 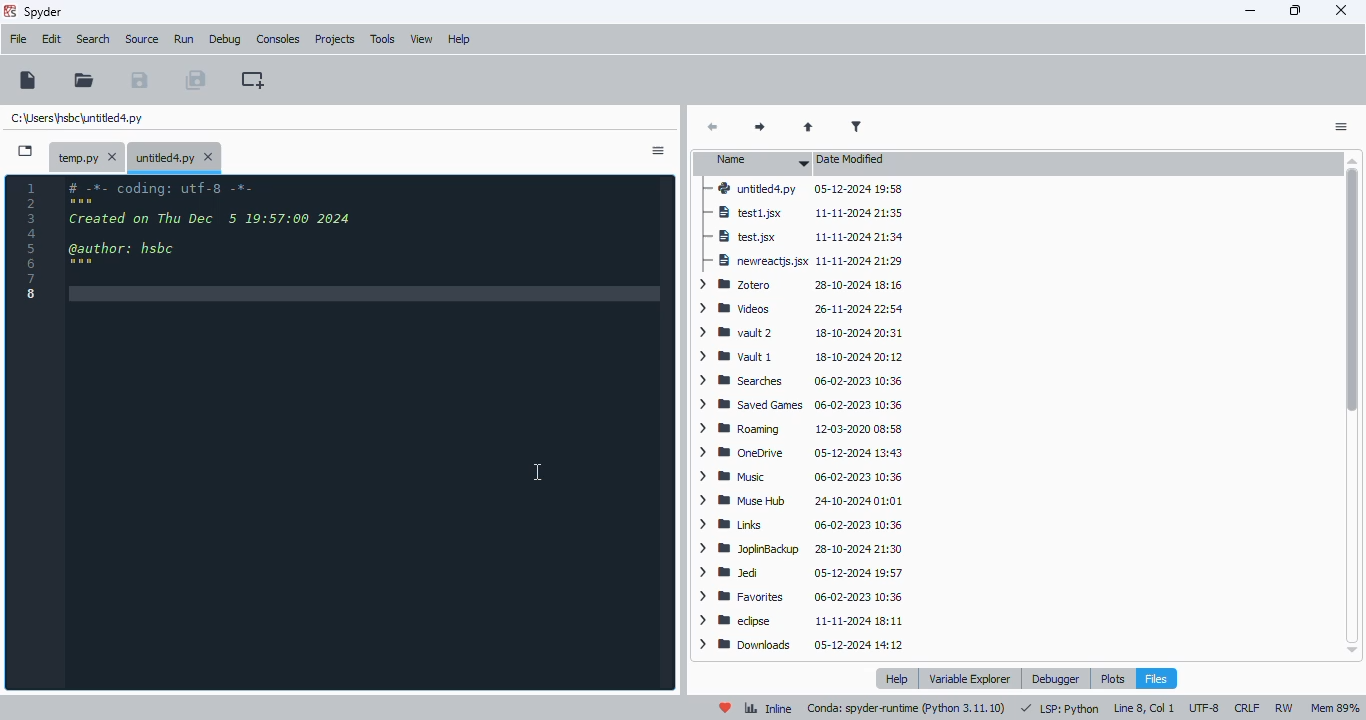 What do you see at coordinates (1143, 709) in the screenshot?
I see `line 8, col 1` at bounding box center [1143, 709].